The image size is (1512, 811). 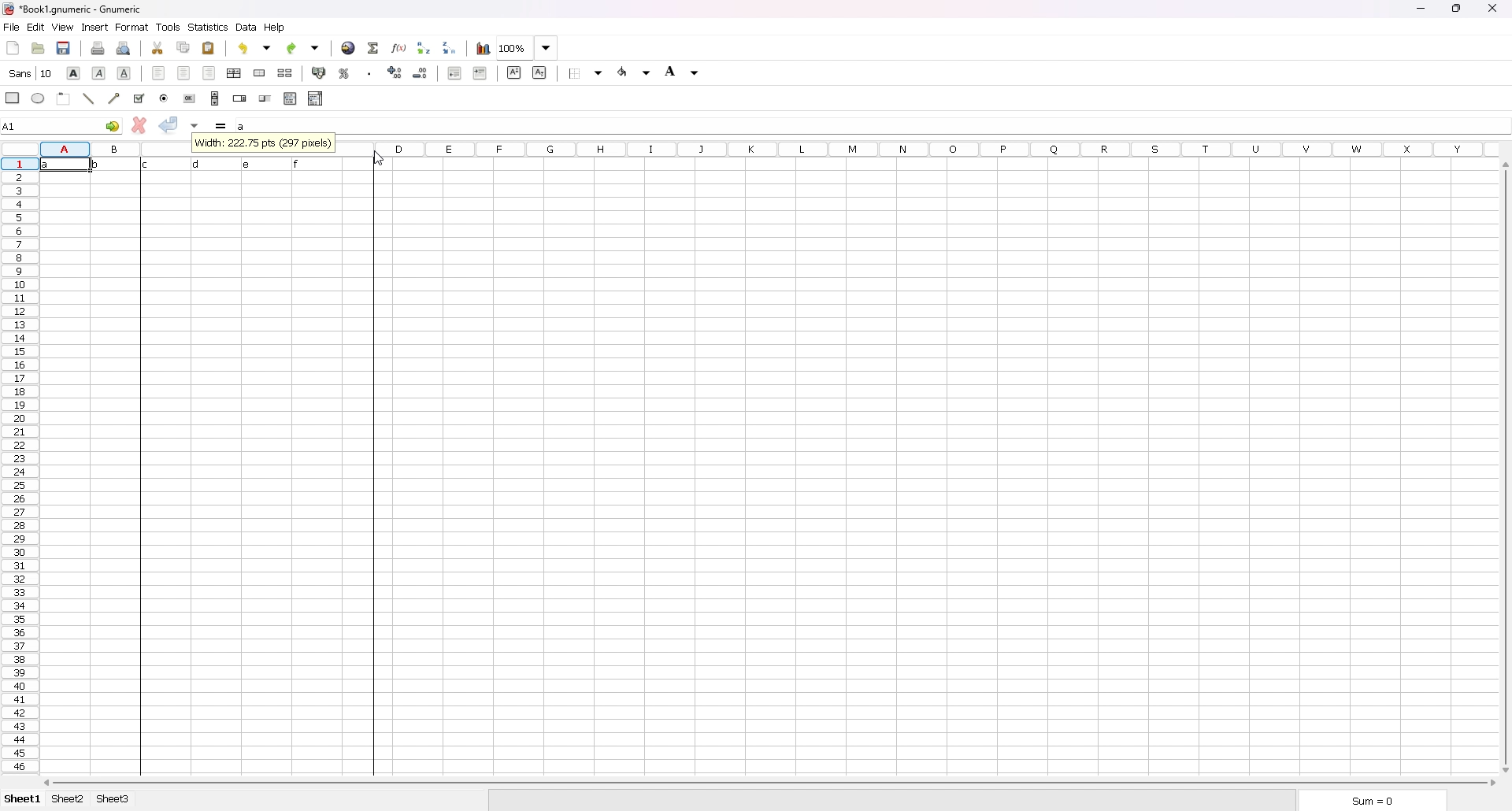 I want to click on slider, so click(x=265, y=98).